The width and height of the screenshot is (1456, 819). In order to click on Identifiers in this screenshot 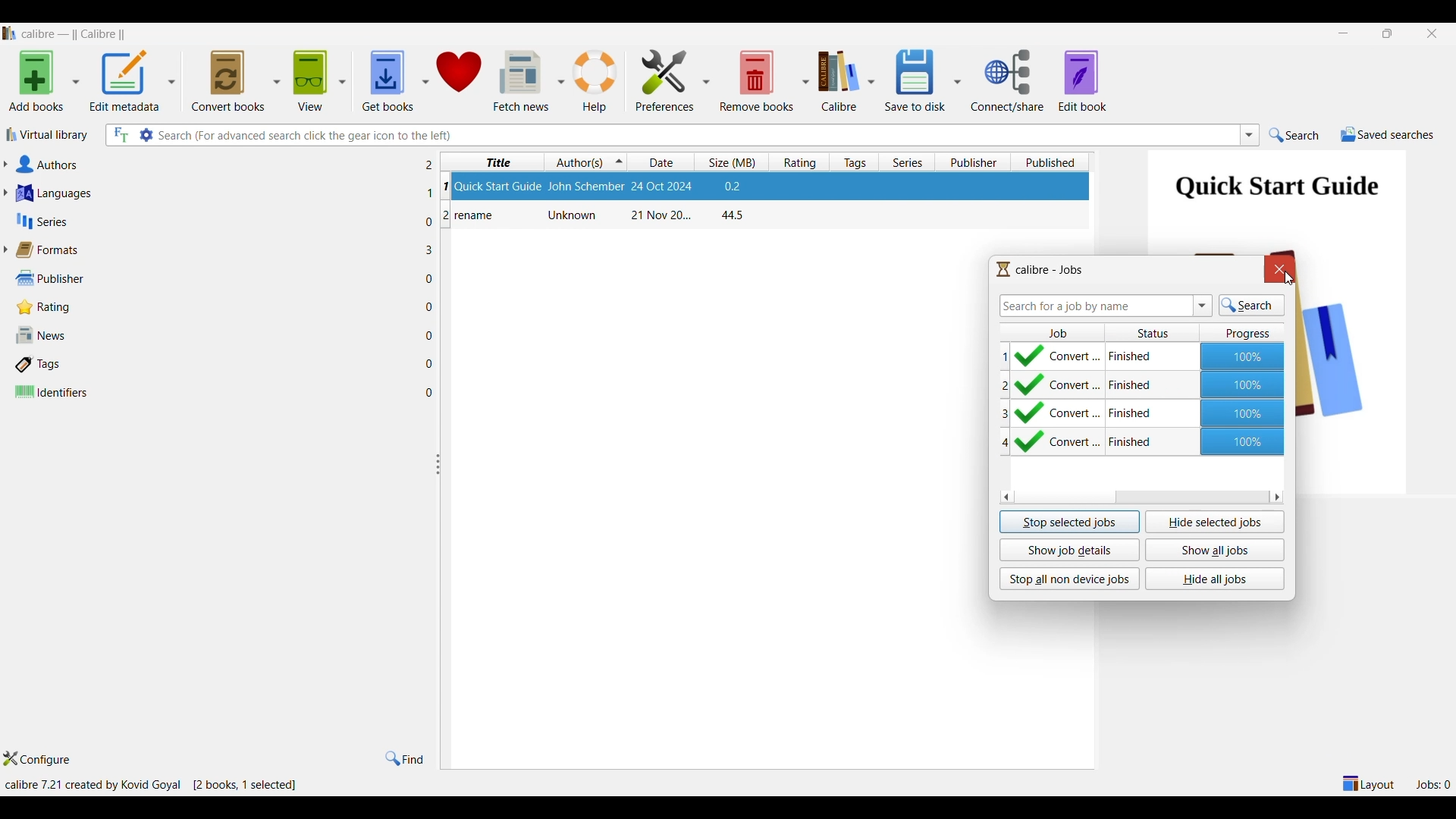, I will do `click(214, 392)`.